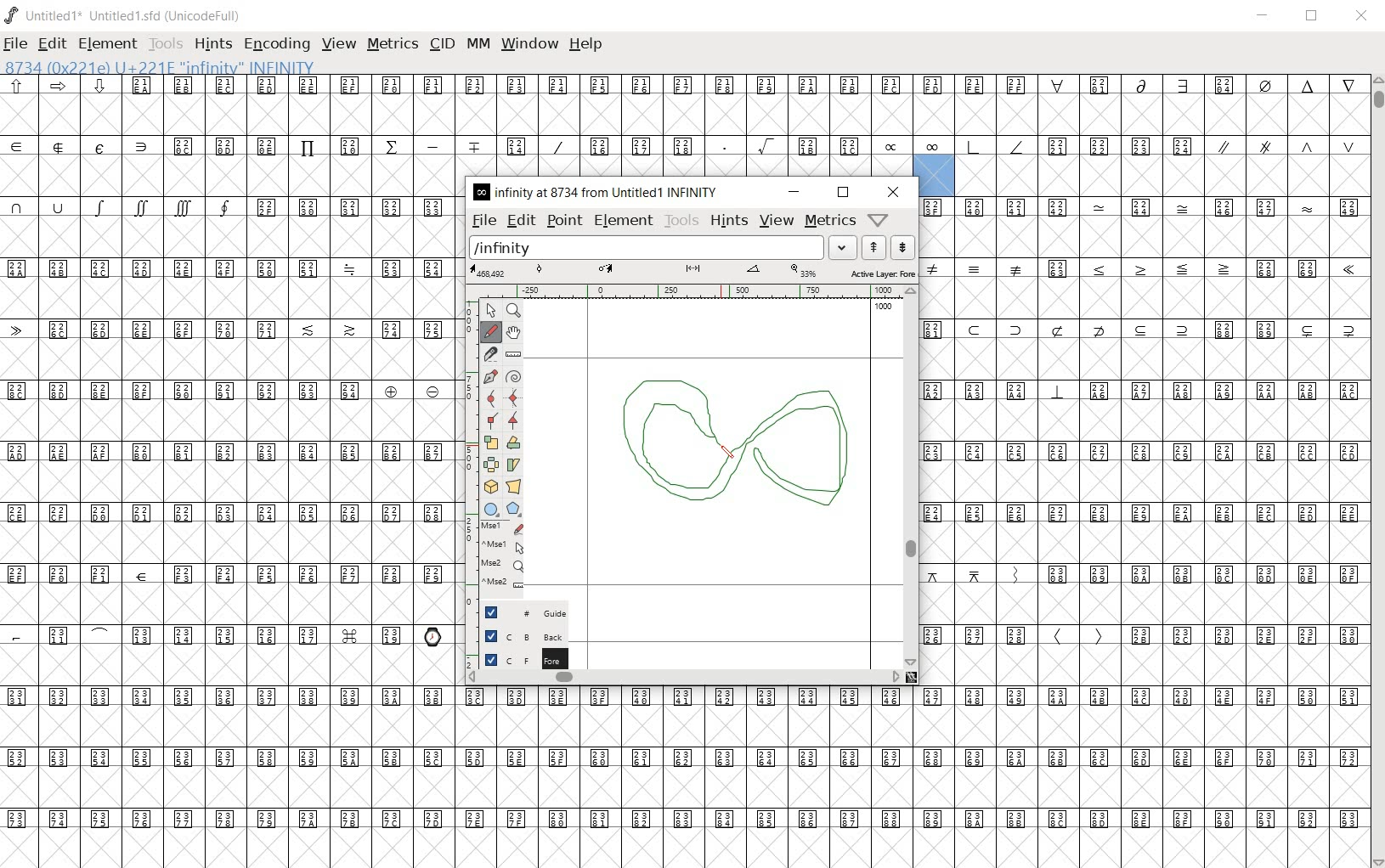 The height and width of the screenshot is (868, 1385). I want to click on background, so click(517, 636).